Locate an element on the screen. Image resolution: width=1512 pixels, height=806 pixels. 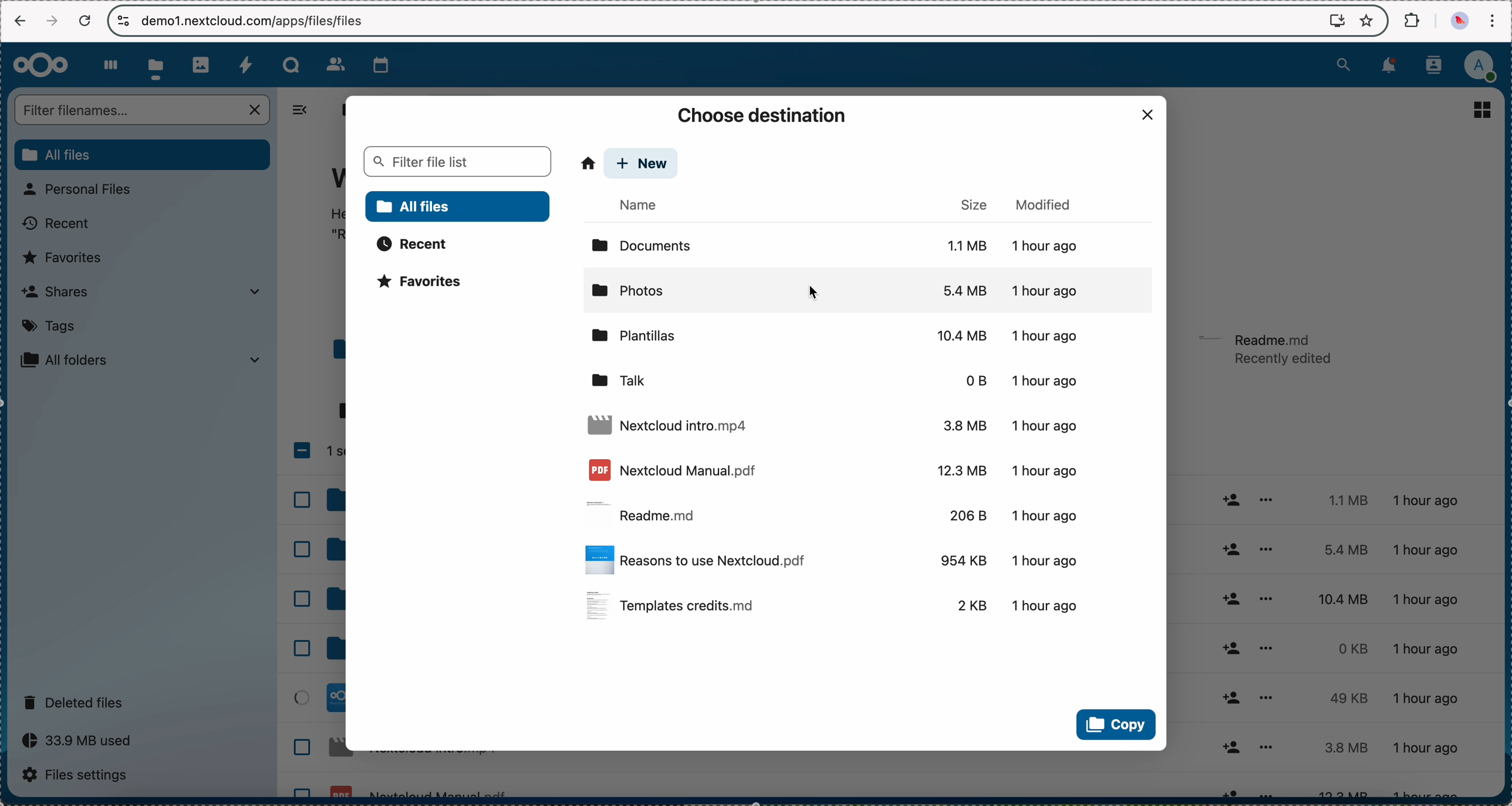
URL is located at coordinates (256, 20).